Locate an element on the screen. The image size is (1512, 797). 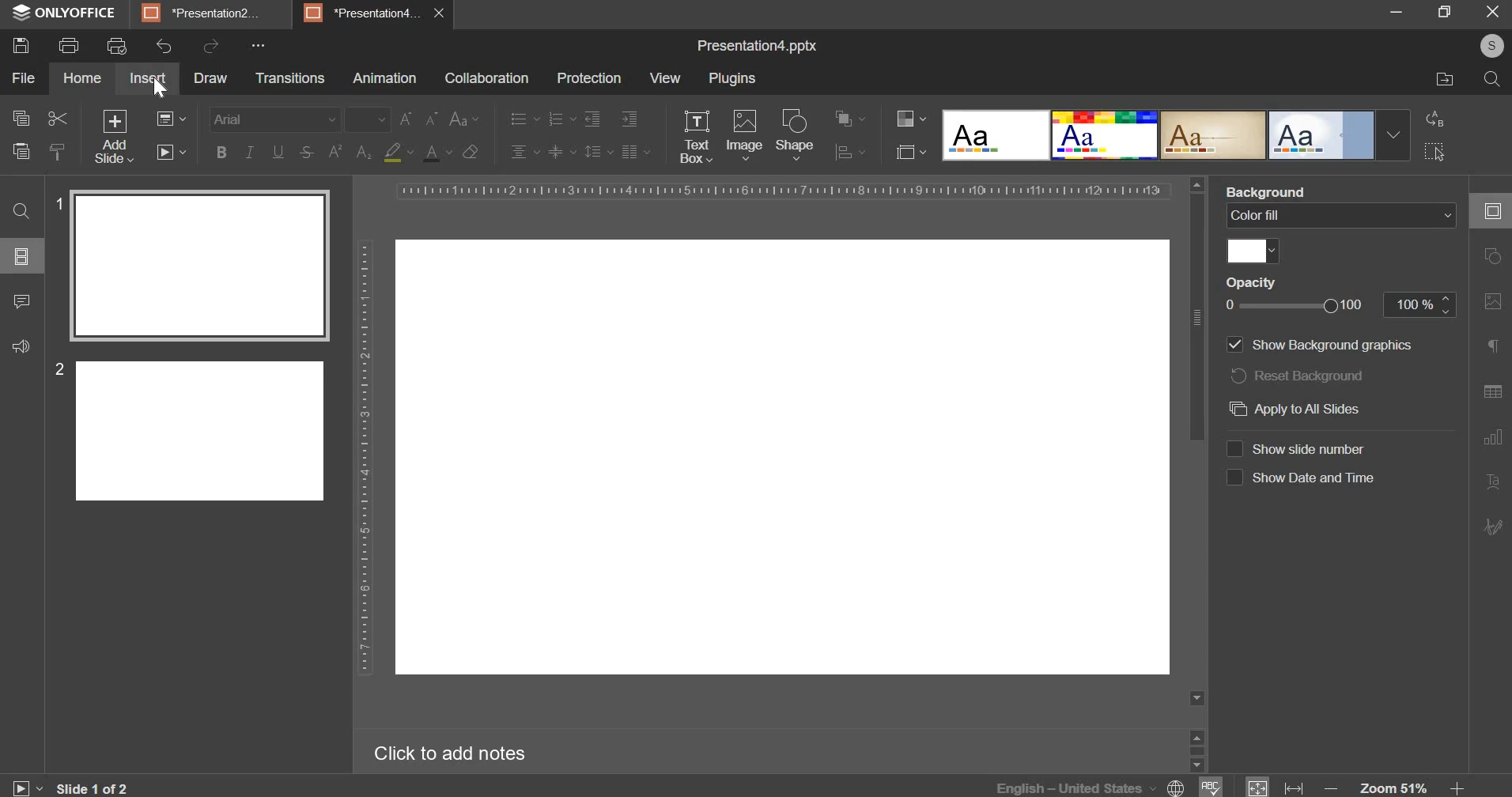
change font size is located at coordinates (419, 118).